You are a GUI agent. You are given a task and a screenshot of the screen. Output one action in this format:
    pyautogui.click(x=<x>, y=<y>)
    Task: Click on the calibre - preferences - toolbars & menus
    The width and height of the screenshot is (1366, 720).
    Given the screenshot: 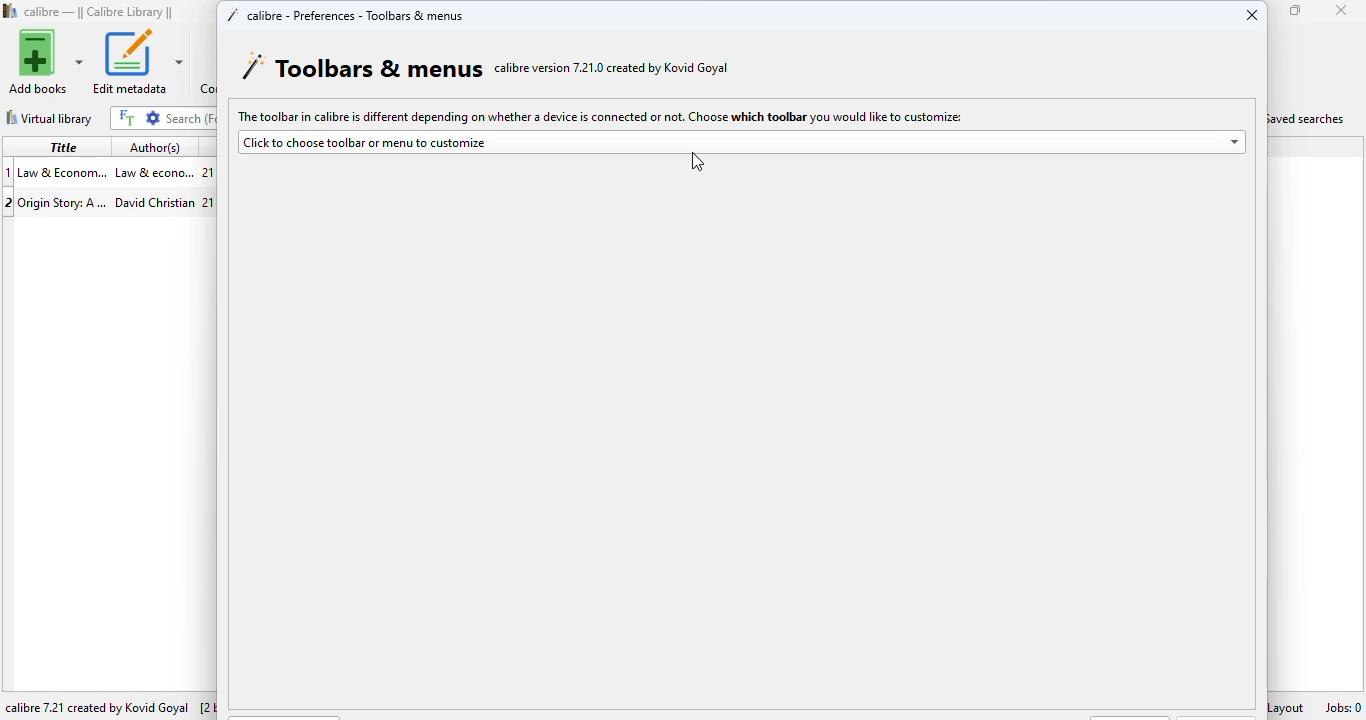 What is the action you would take?
    pyautogui.click(x=344, y=14)
    